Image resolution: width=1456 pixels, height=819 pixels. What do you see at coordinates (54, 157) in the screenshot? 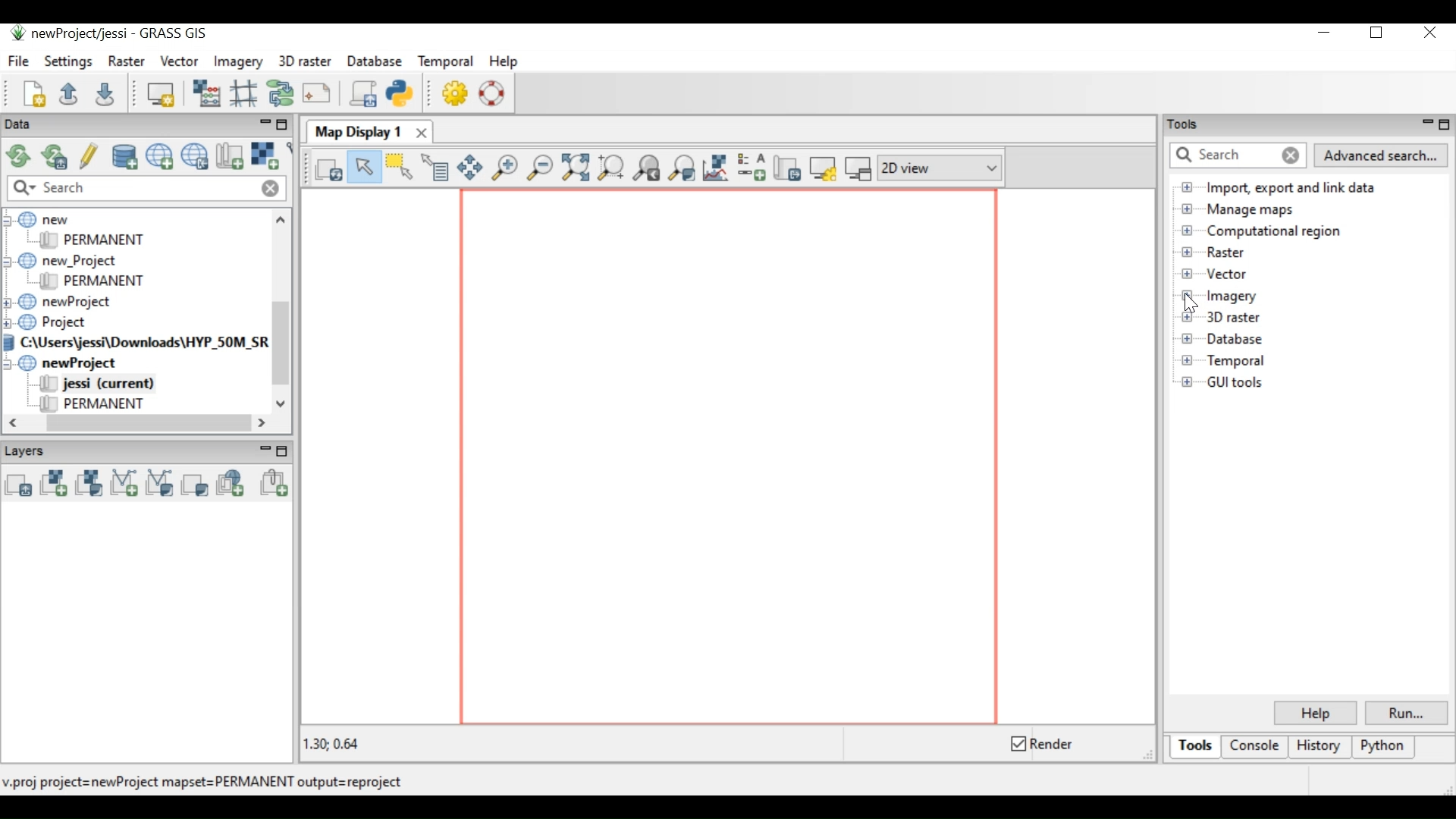
I see `Reload current GRASS mapset only` at bounding box center [54, 157].